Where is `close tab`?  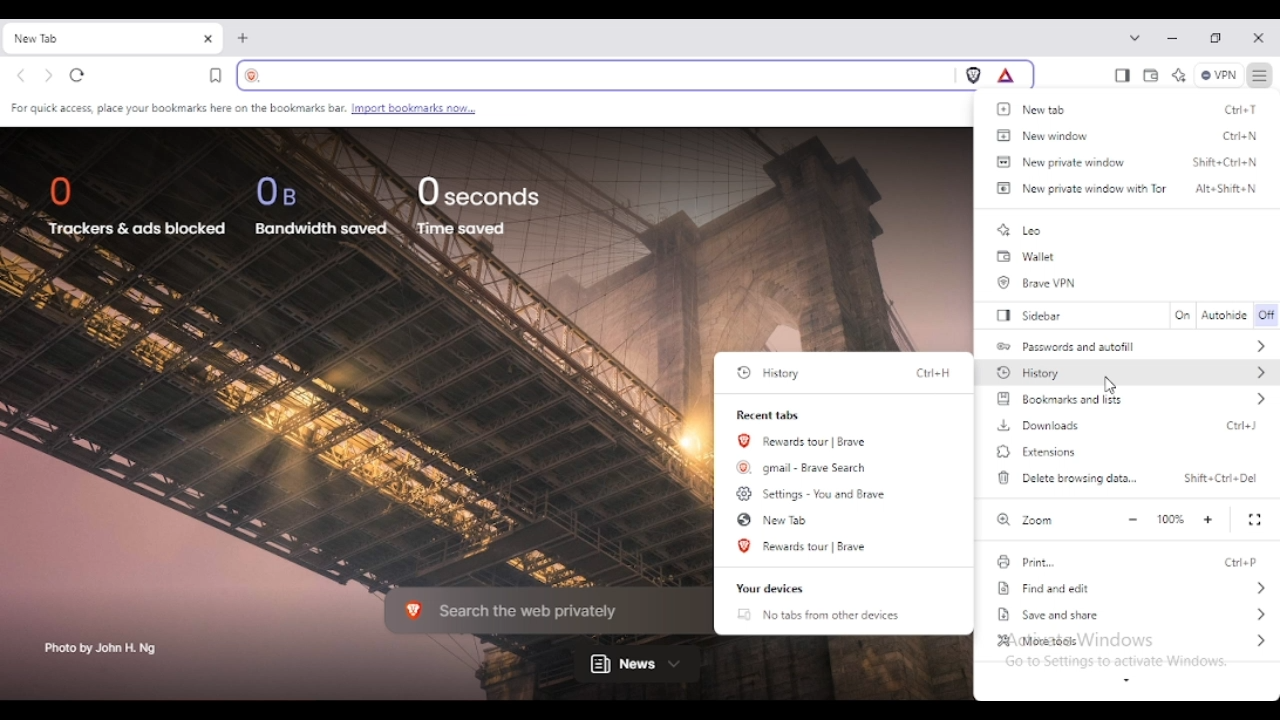
close tab is located at coordinates (208, 39).